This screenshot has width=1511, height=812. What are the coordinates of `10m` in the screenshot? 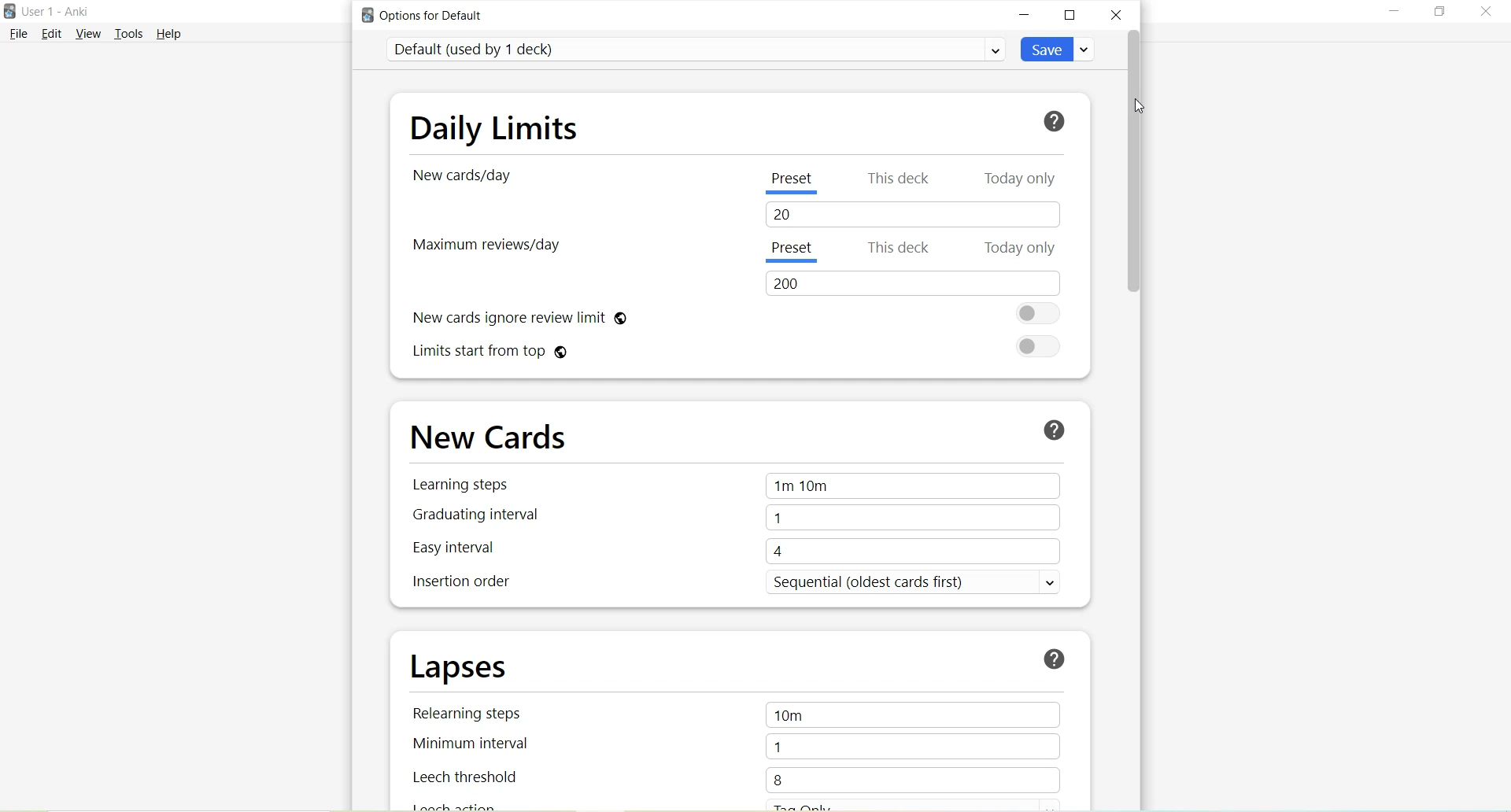 It's located at (915, 715).